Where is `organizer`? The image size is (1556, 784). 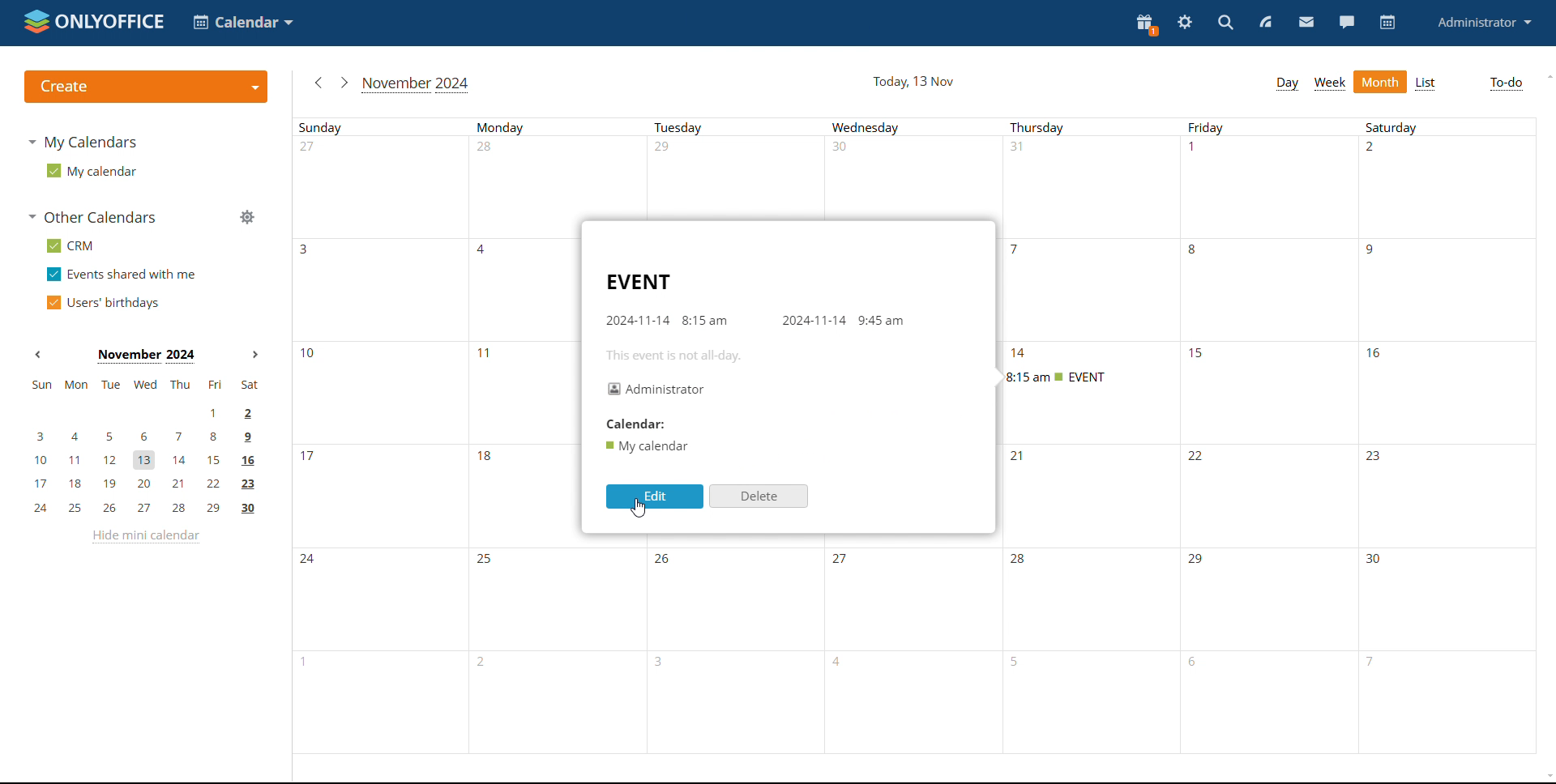 organizer is located at coordinates (655, 390).